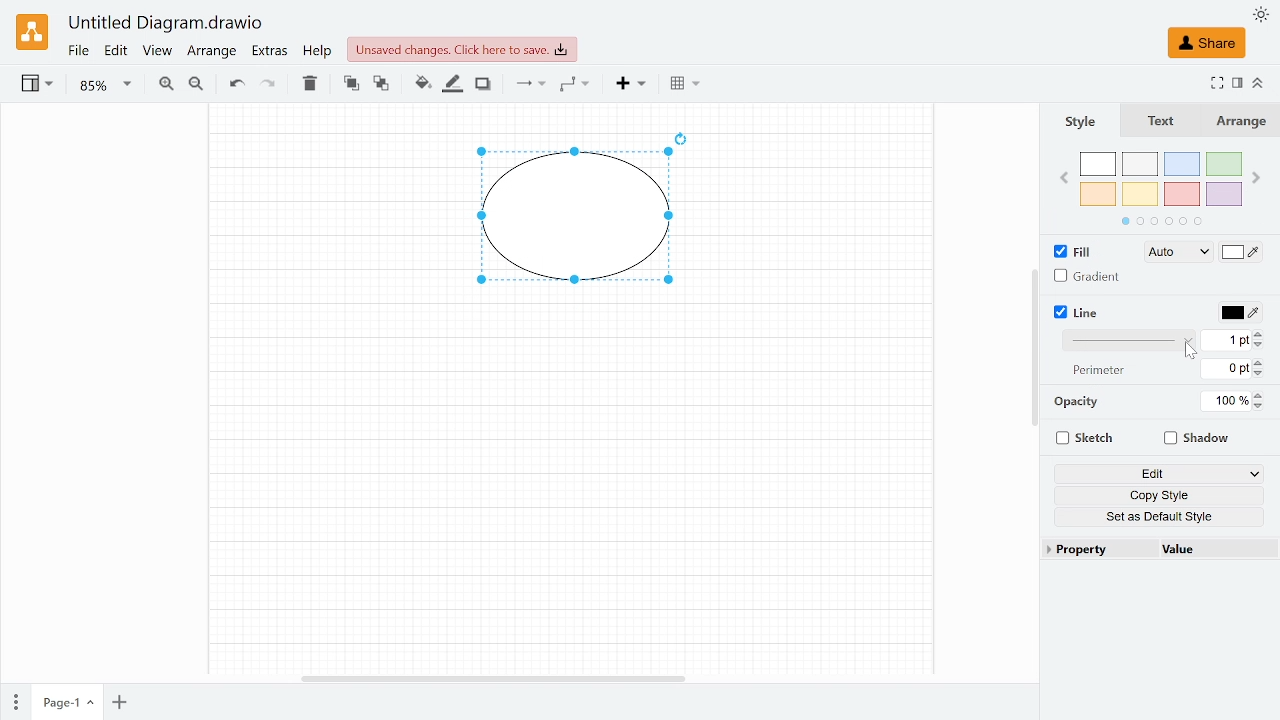  What do you see at coordinates (78, 51) in the screenshot?
I see `File` at bounding box center [78, 51].